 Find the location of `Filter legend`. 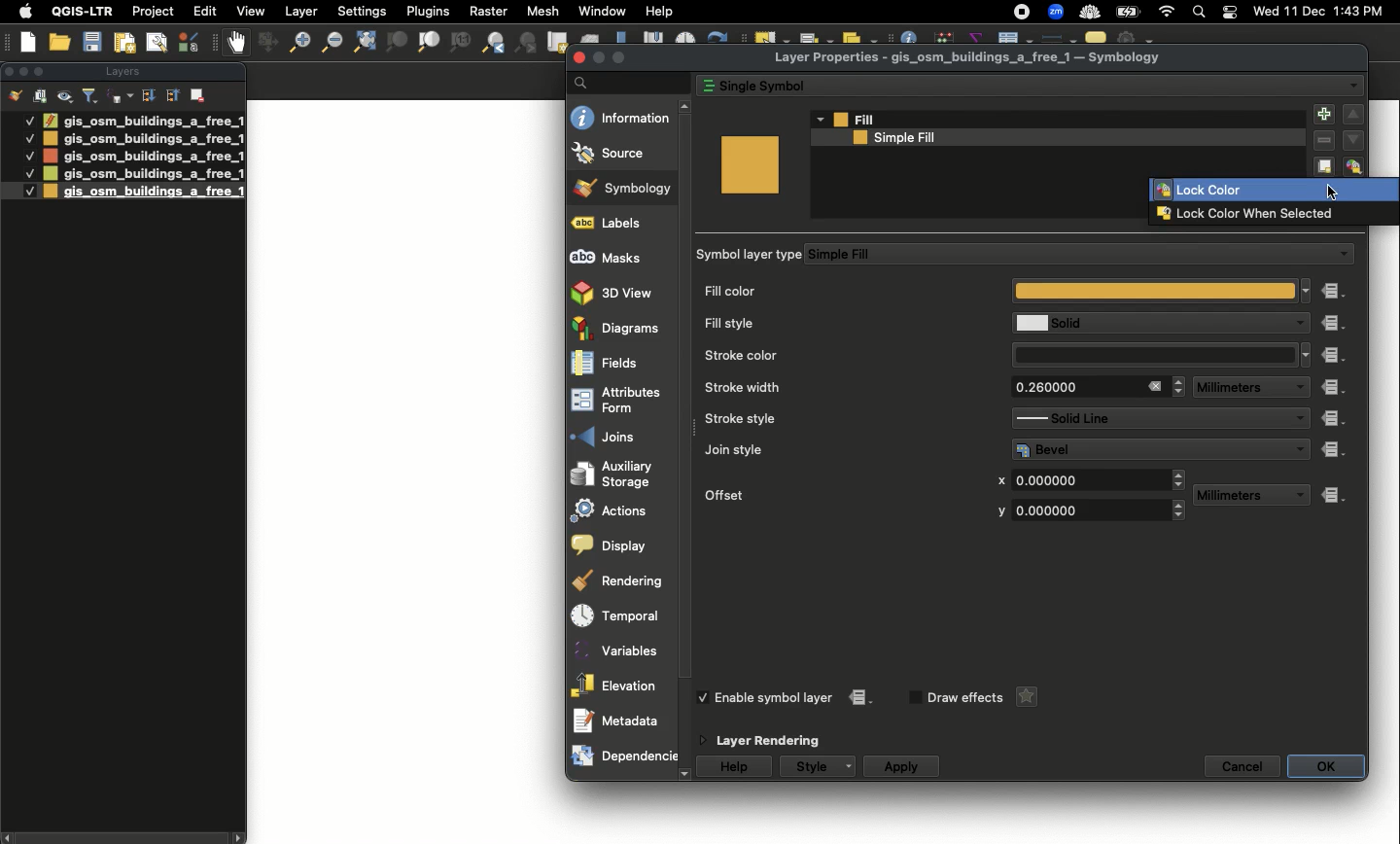

Filter legend is located at coordinates (91, 96).